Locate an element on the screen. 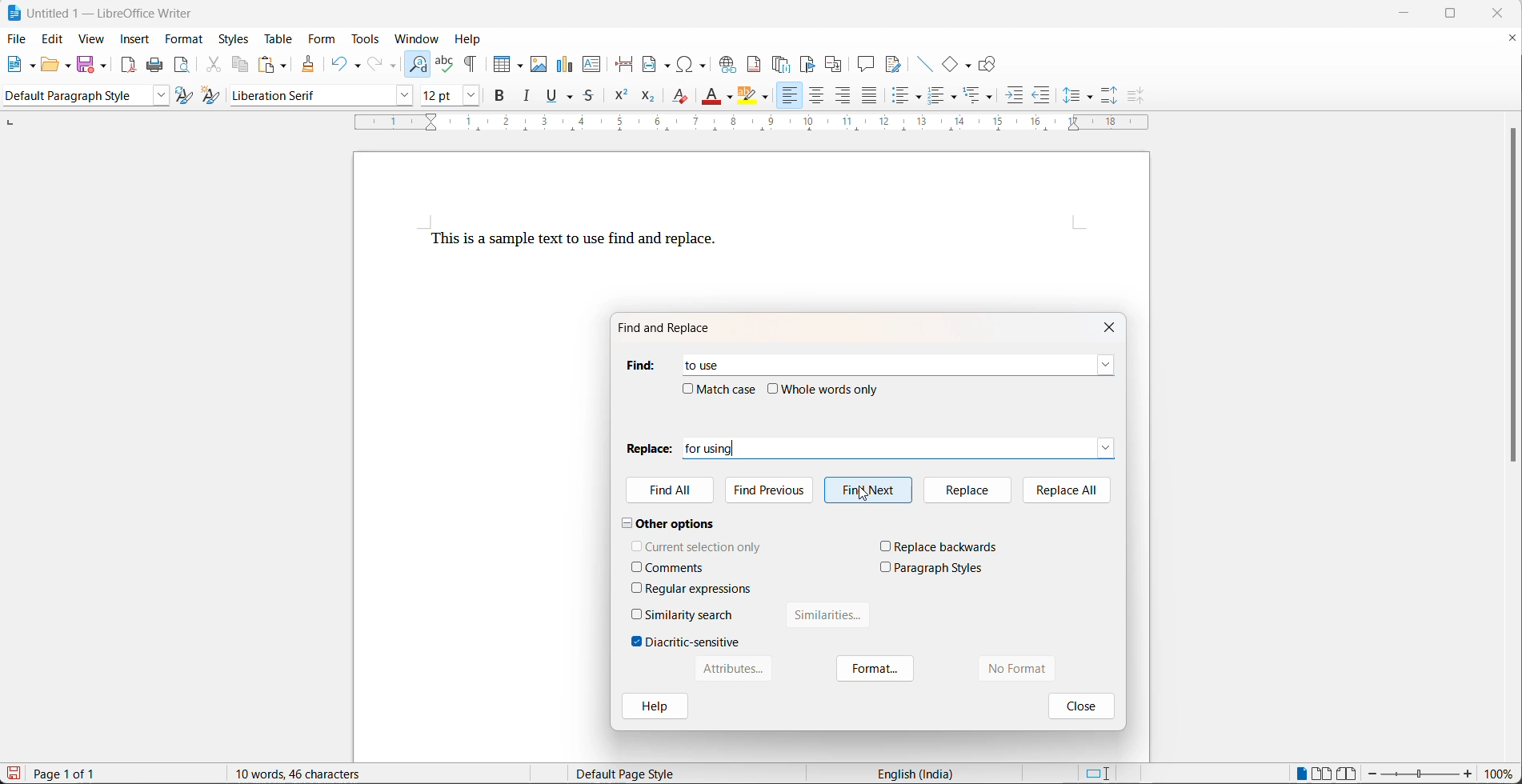 The width and height of the screenshot is (1522, 784). current selection only is located at coordinates (704, 546).